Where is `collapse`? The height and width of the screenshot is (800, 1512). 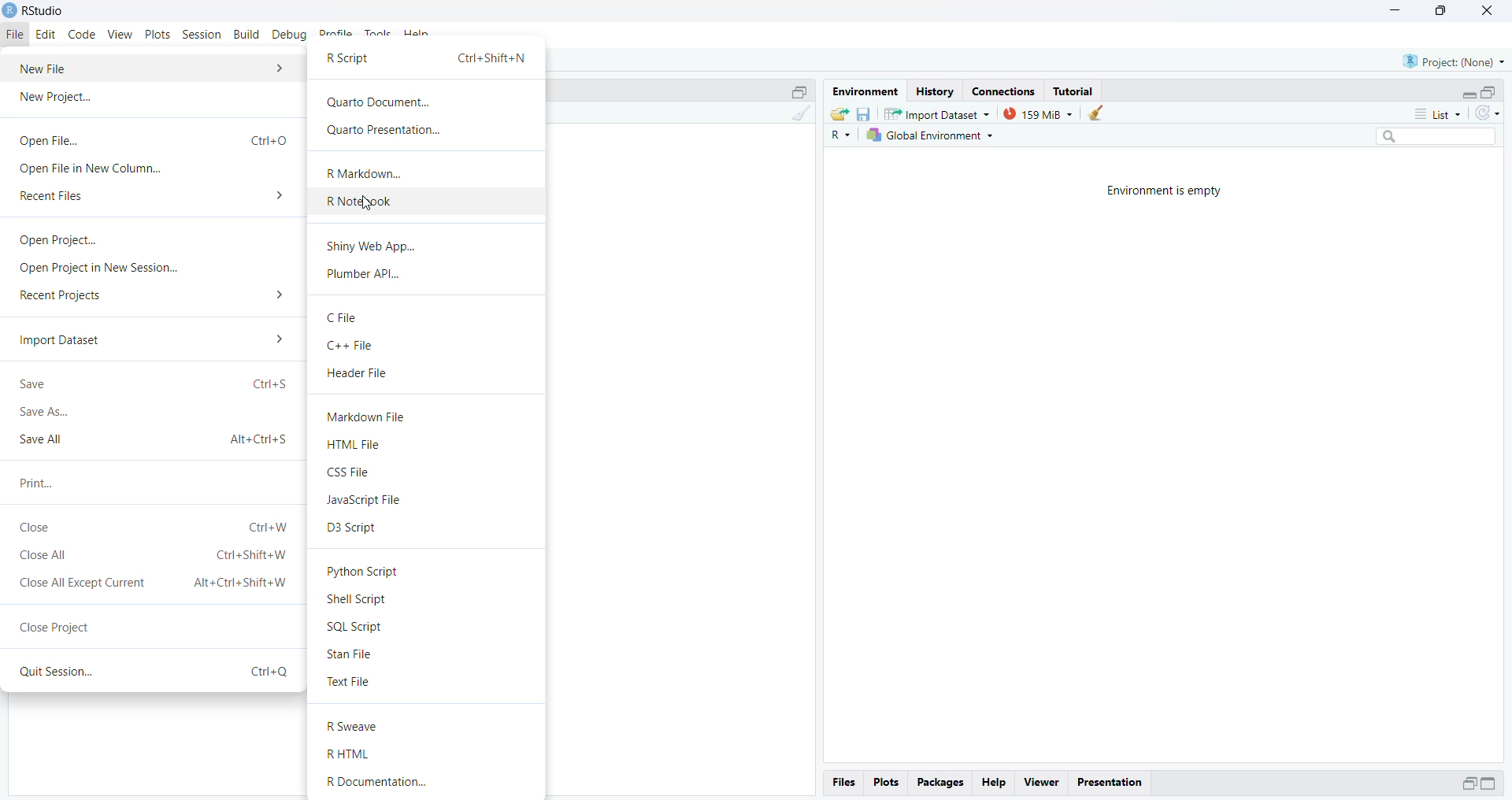
collapse is located at coordinates (1492, 92).